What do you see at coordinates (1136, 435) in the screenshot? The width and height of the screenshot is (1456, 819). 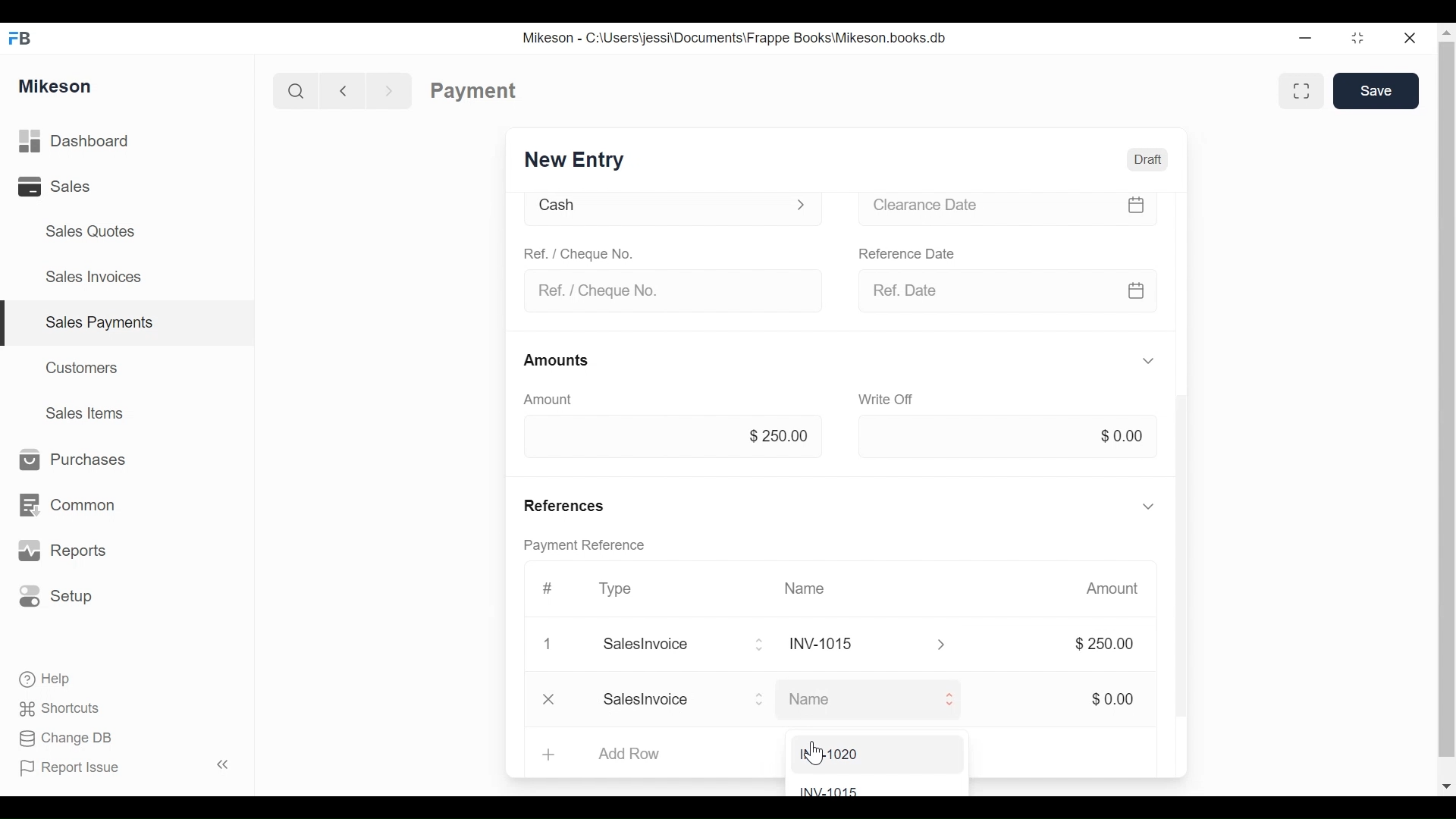 I see `$0.00` at bounding box center [1136, 435].